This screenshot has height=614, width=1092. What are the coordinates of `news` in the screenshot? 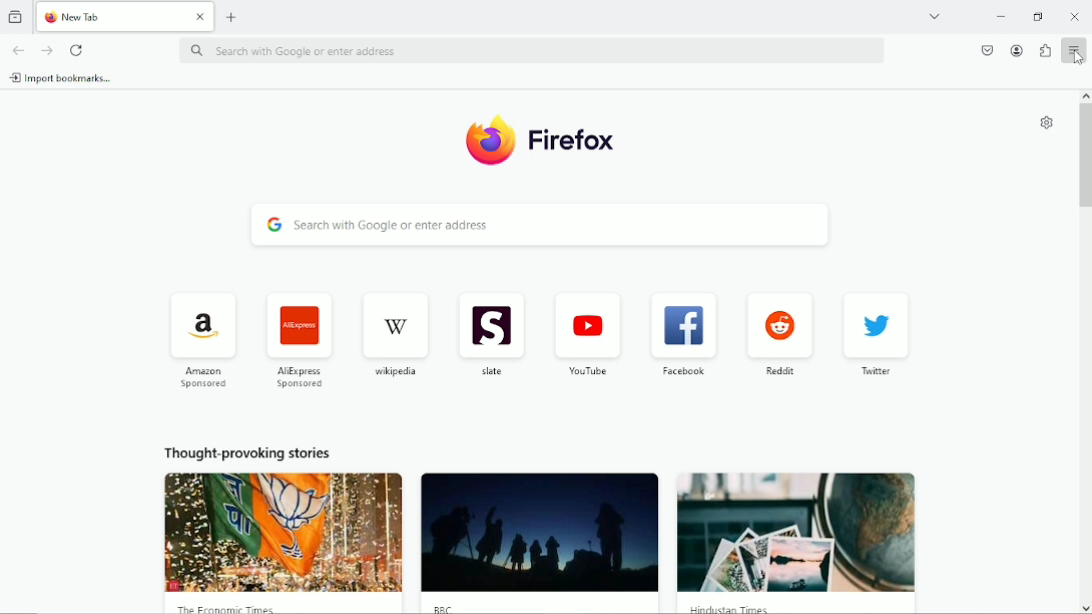 It's located at (539, 543).